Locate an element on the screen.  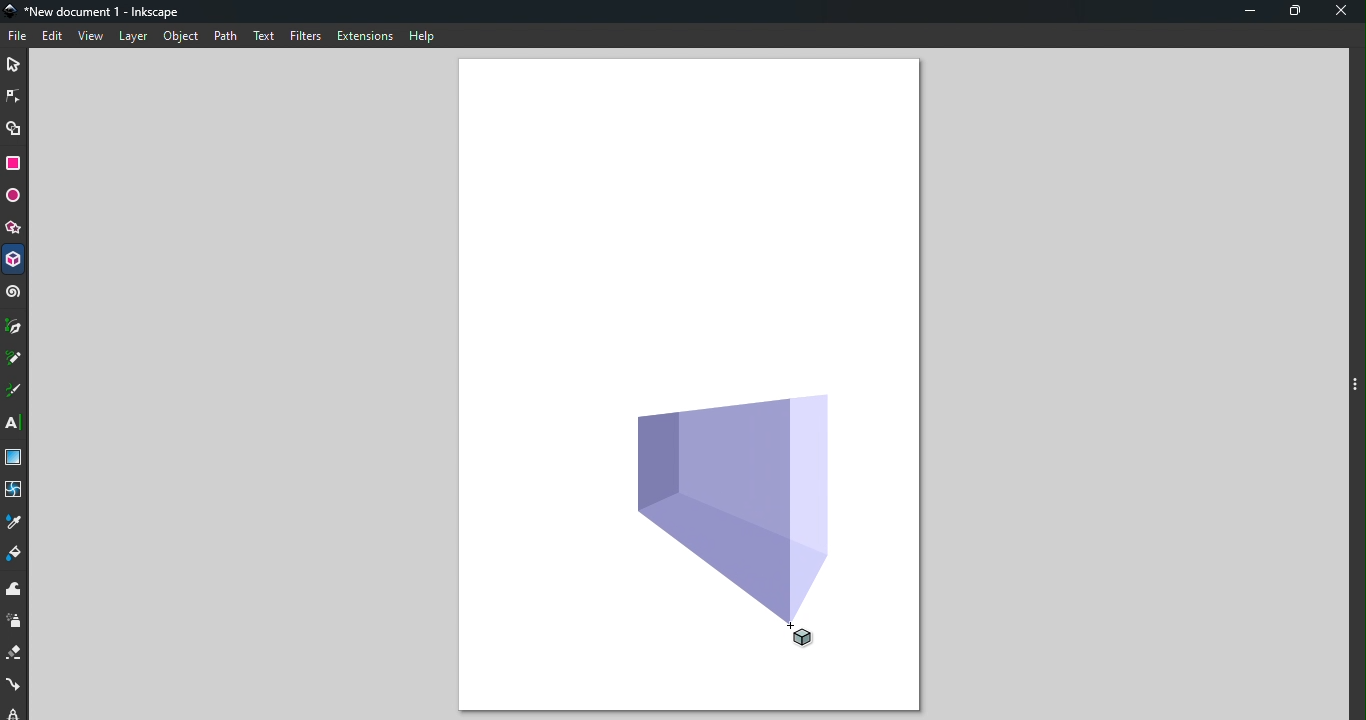
Close is located at coordinates (1341, 14).